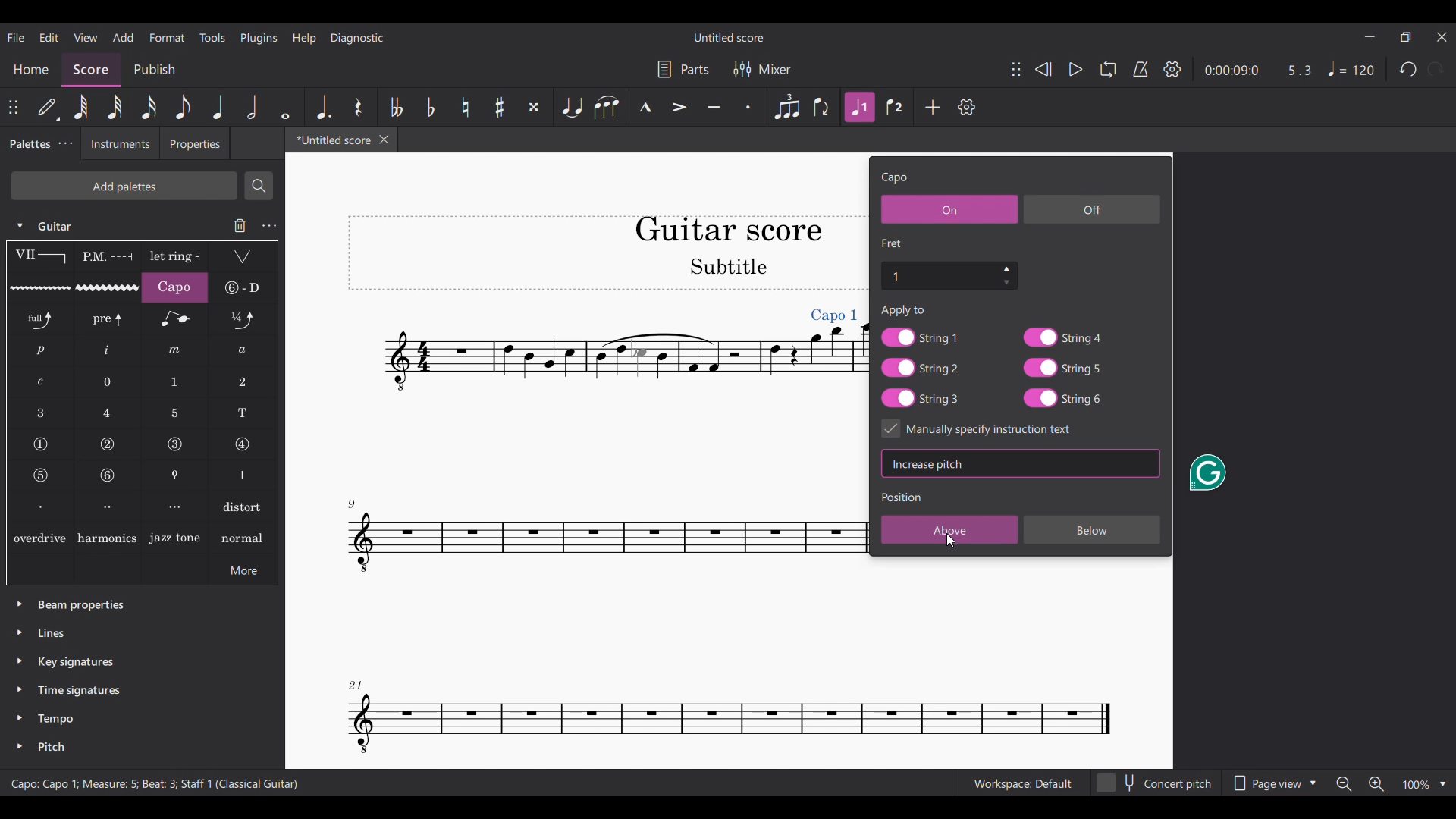 This screenshot has width=1456, height=819. Describe the element at coordinates (861, 108) in the screenshot. I see `Highlighted after current selection` at that location.